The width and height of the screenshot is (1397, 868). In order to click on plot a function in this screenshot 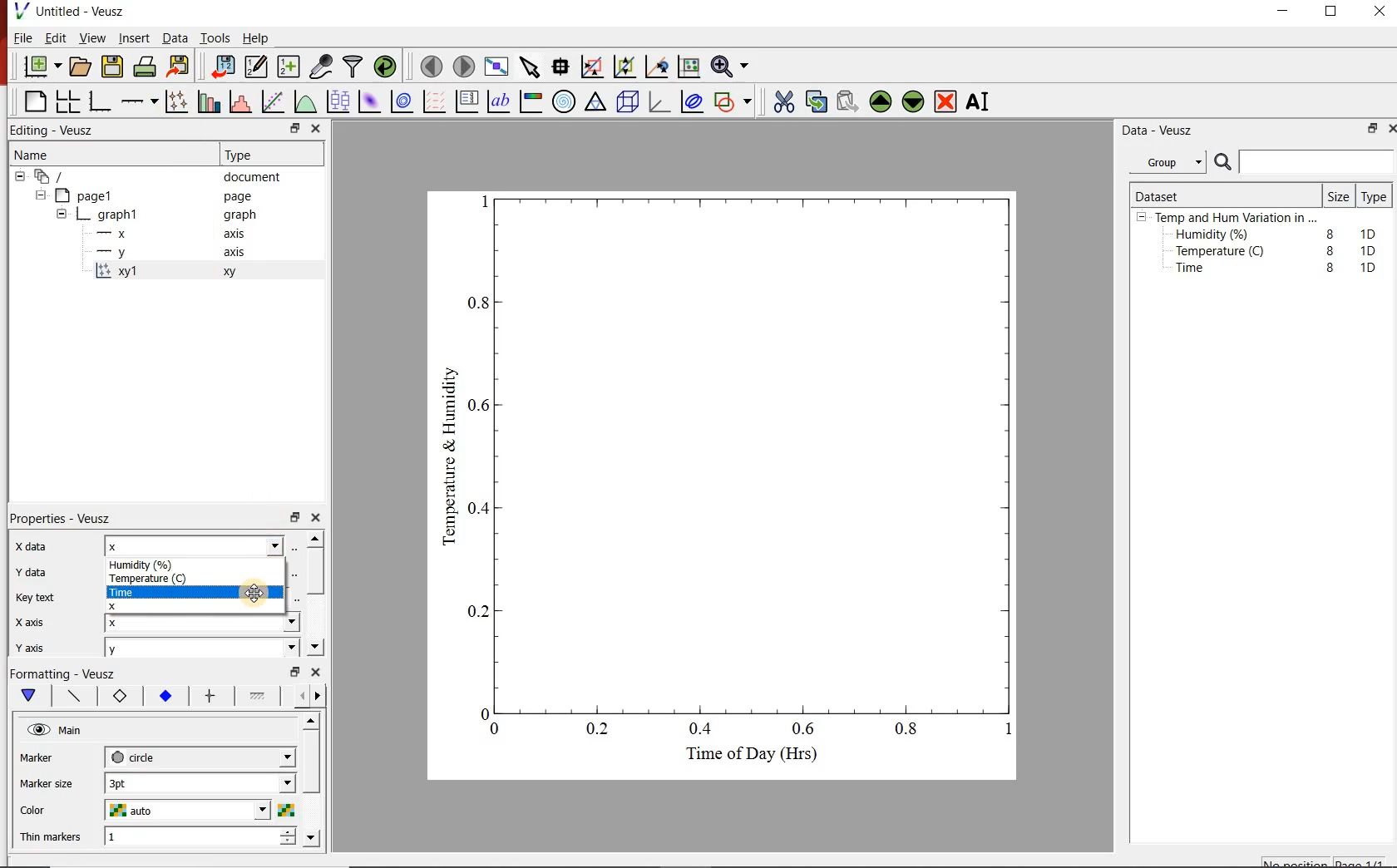, I will do `click(307, 104)`.